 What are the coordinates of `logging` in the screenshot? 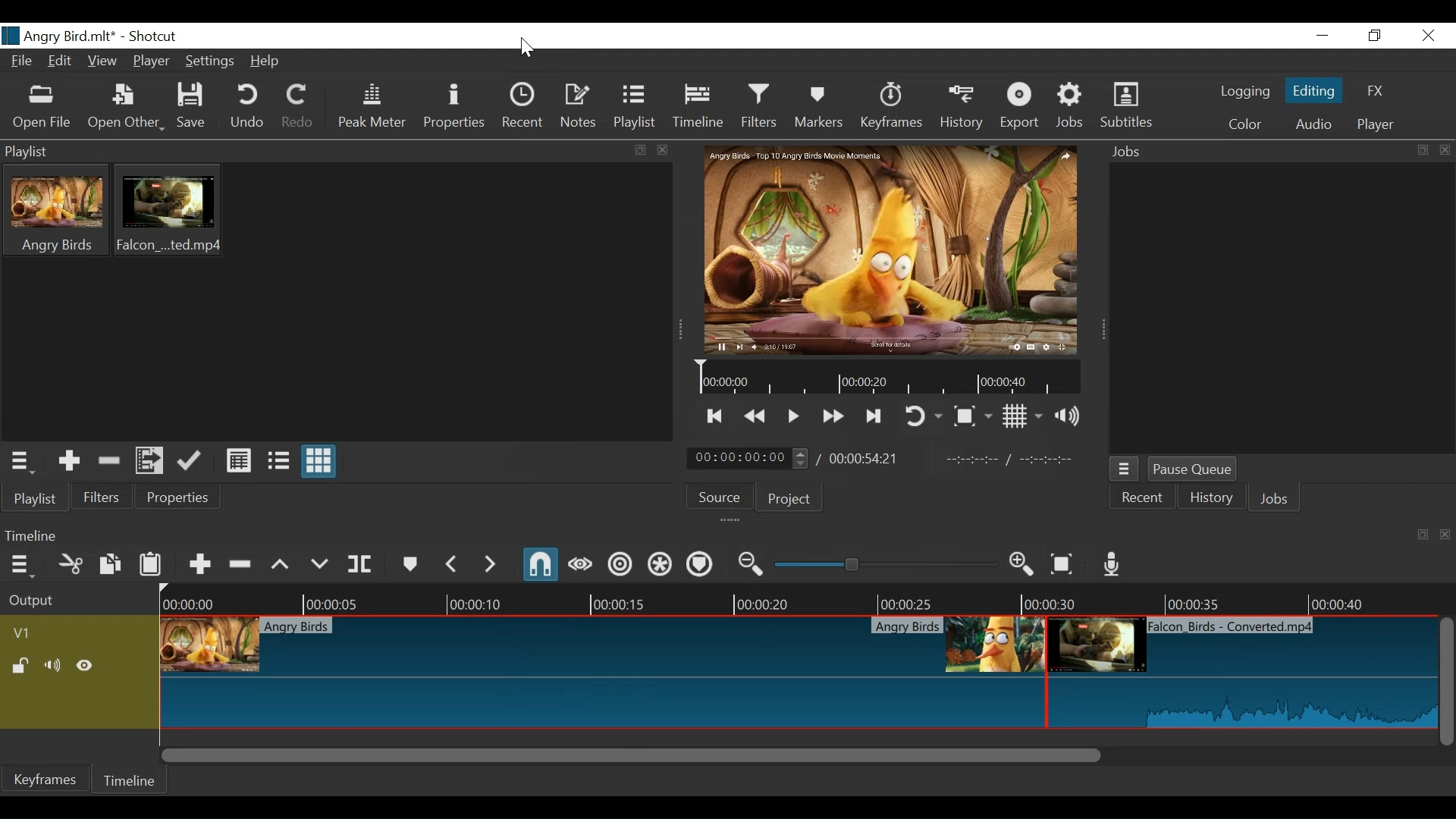 It's located at (1244, 92).